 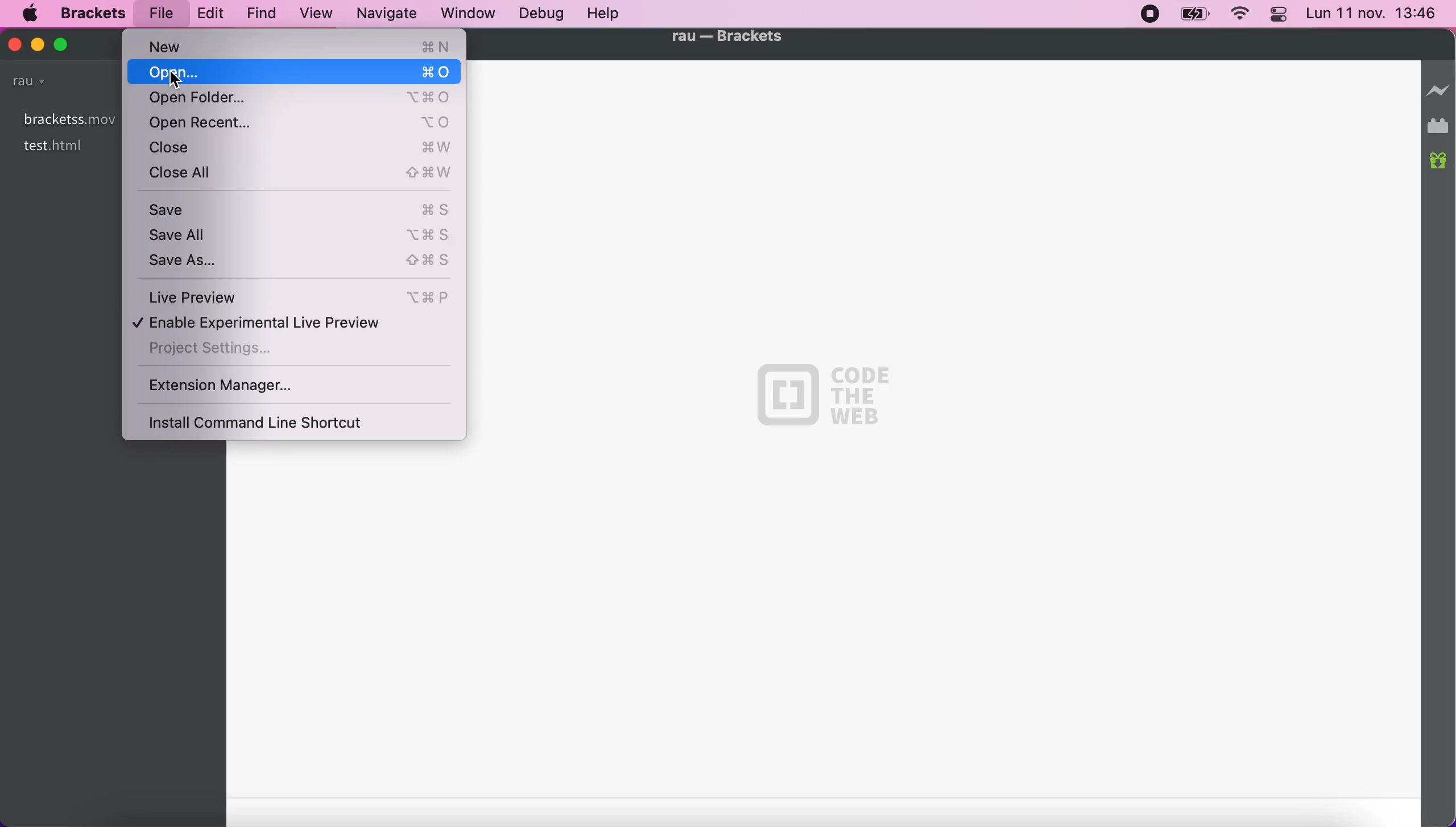 I want to click on file, so click(x=158, y=13).